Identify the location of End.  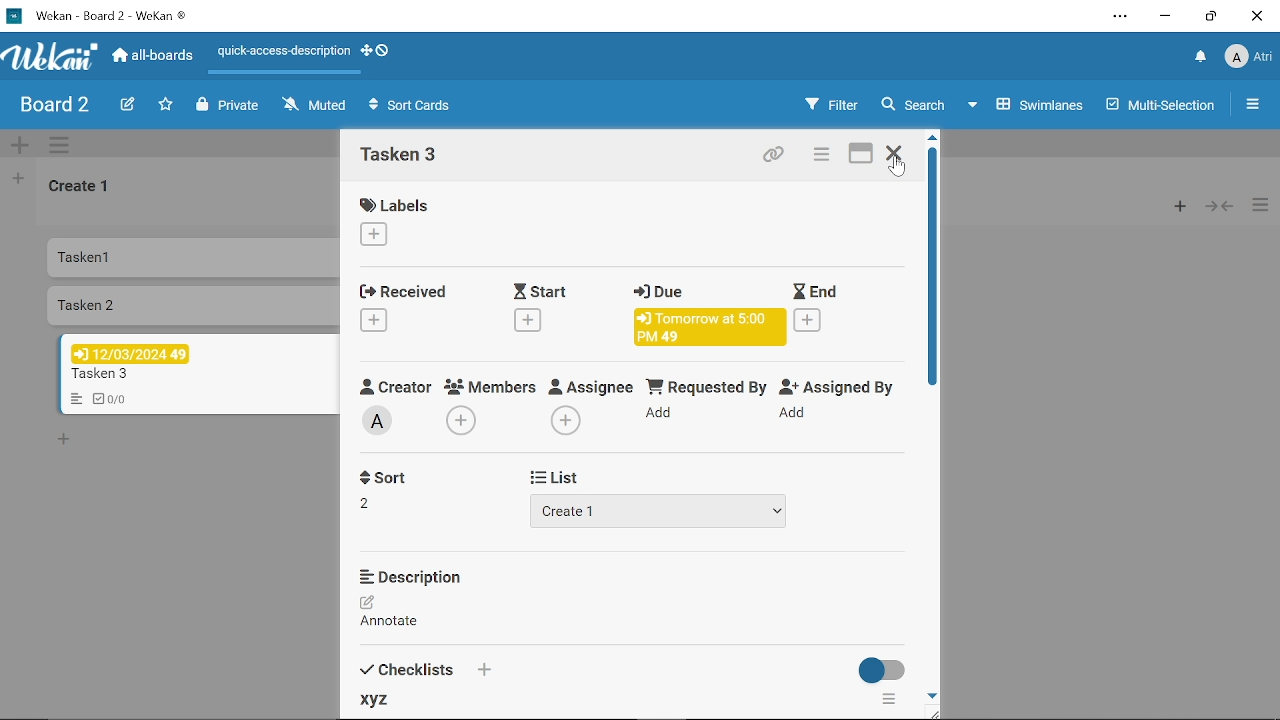
(814, 293).